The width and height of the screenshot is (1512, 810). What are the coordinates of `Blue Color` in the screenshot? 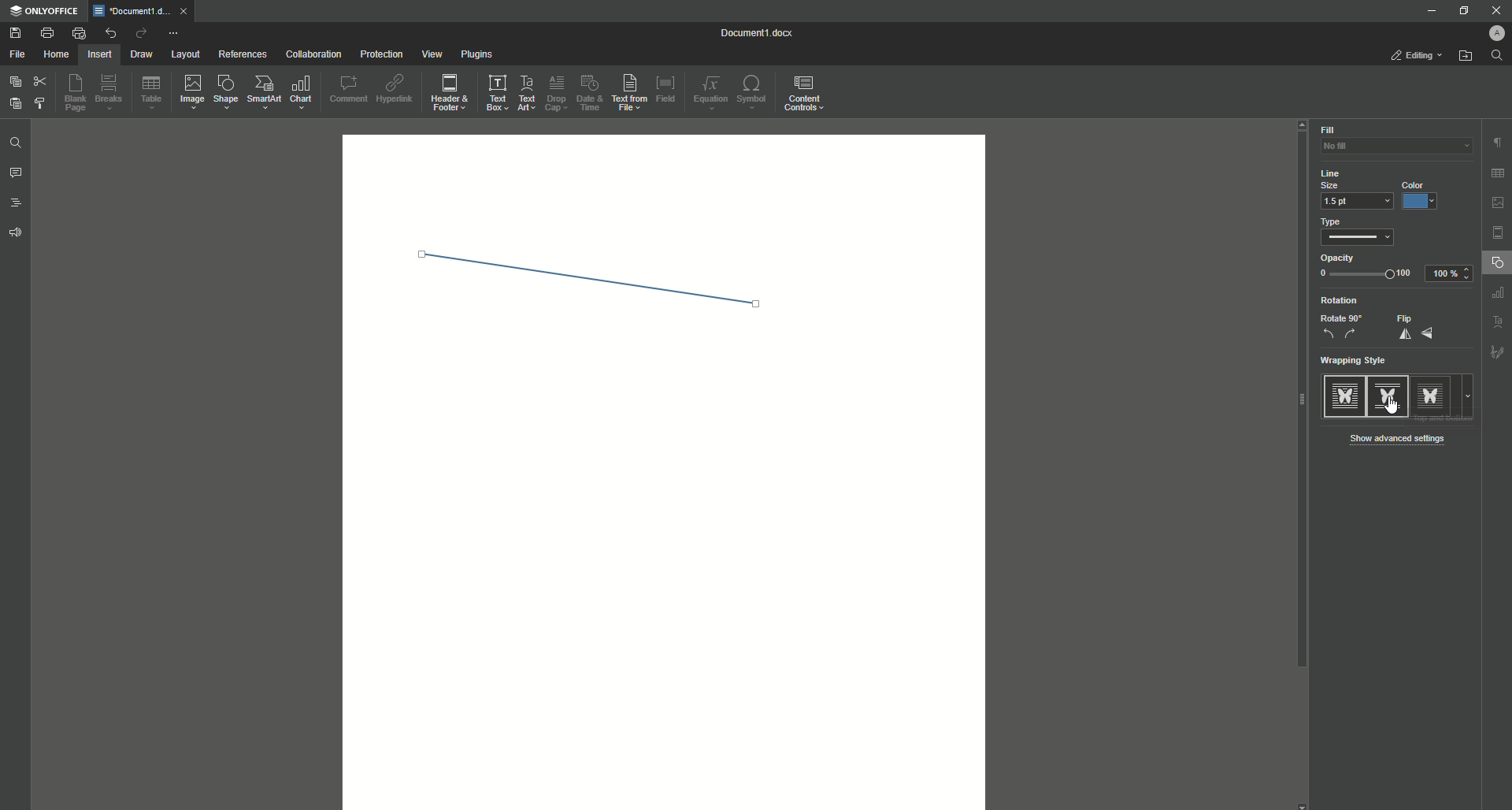 It's located at (1425, 196).